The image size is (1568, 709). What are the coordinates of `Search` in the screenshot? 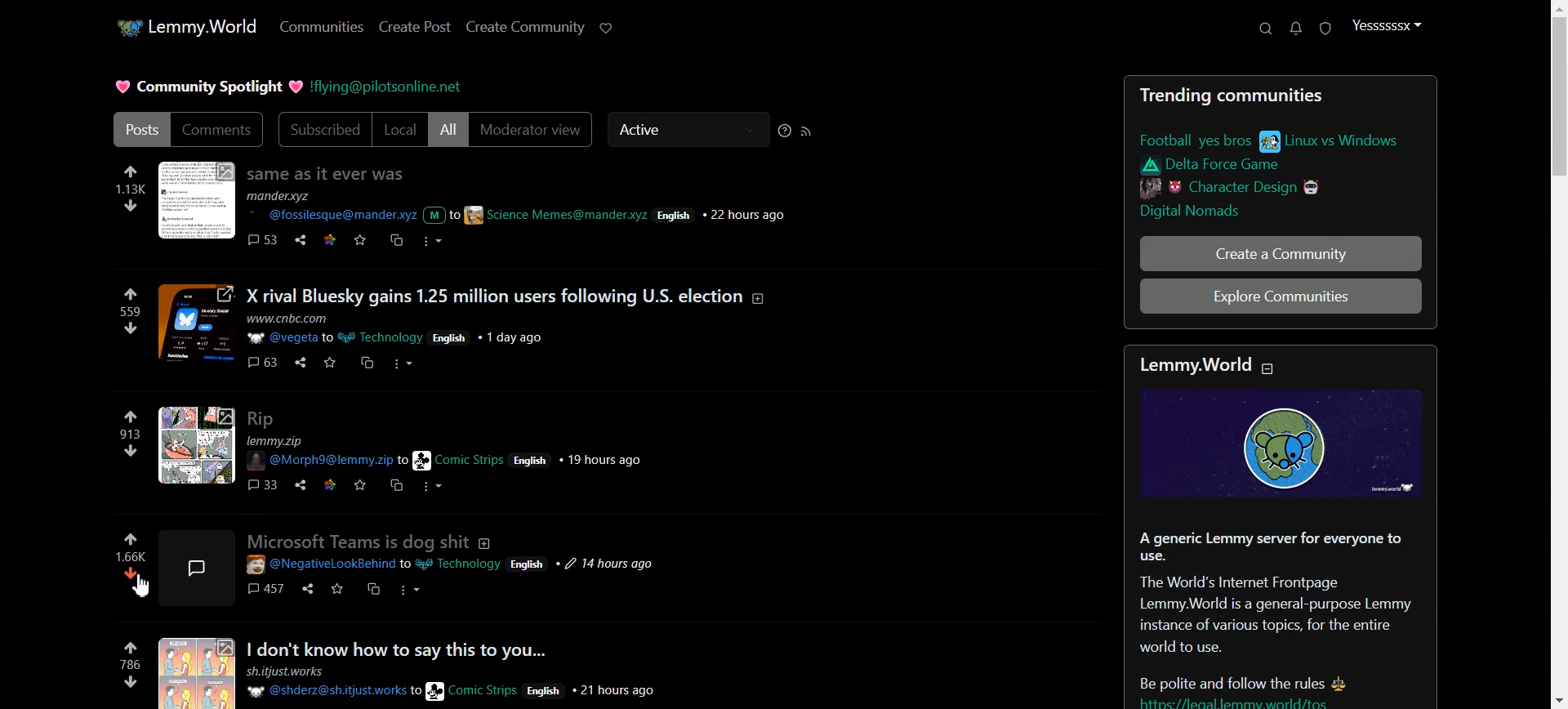 It's located at (1265, 28).